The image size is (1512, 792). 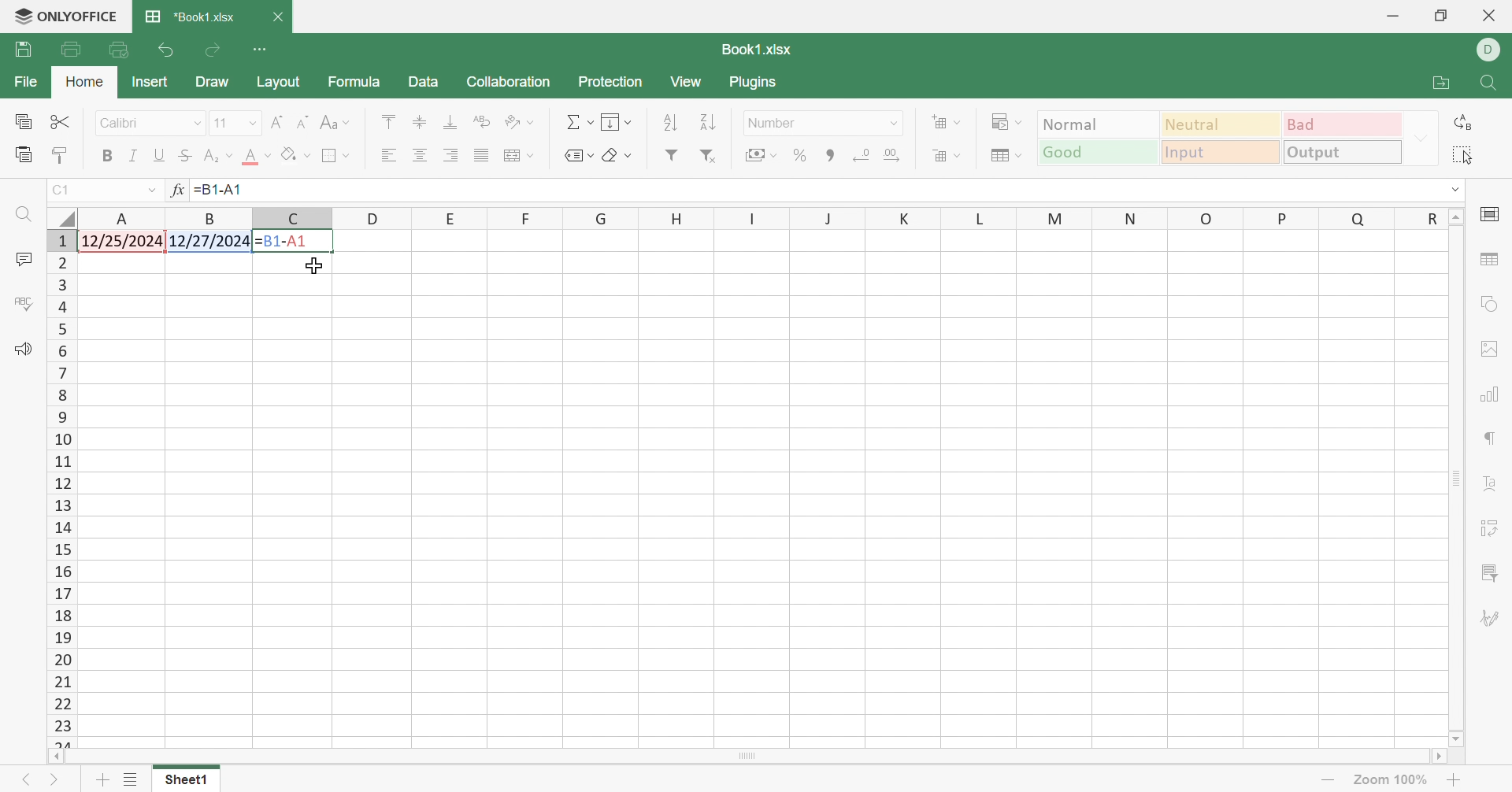 What do you see at coordinates (356, 84) in the screenshot?
I see `Formula` at bounding box center [356, 84].